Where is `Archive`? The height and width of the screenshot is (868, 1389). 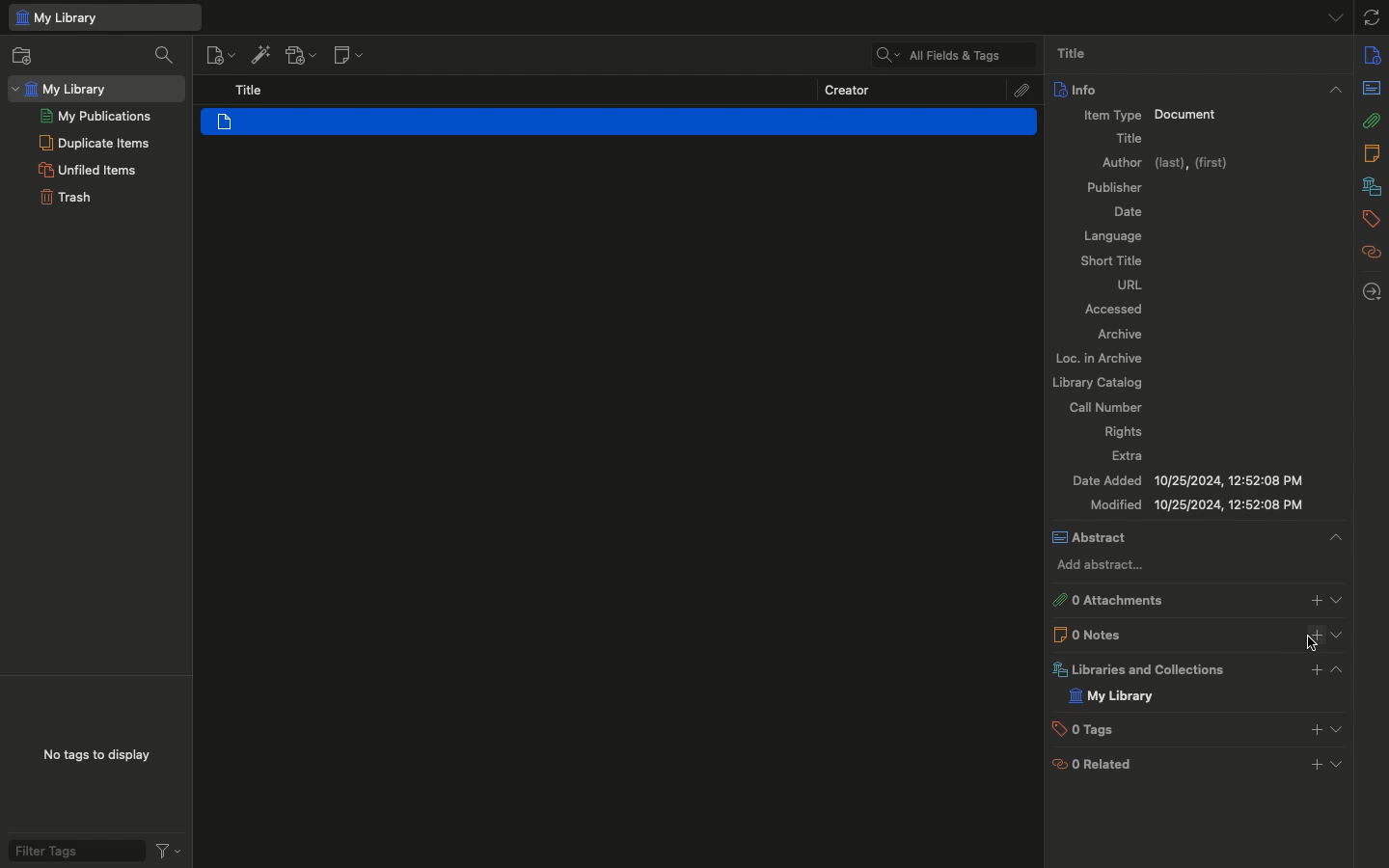 Archive is located at coordinates (1124, 334).